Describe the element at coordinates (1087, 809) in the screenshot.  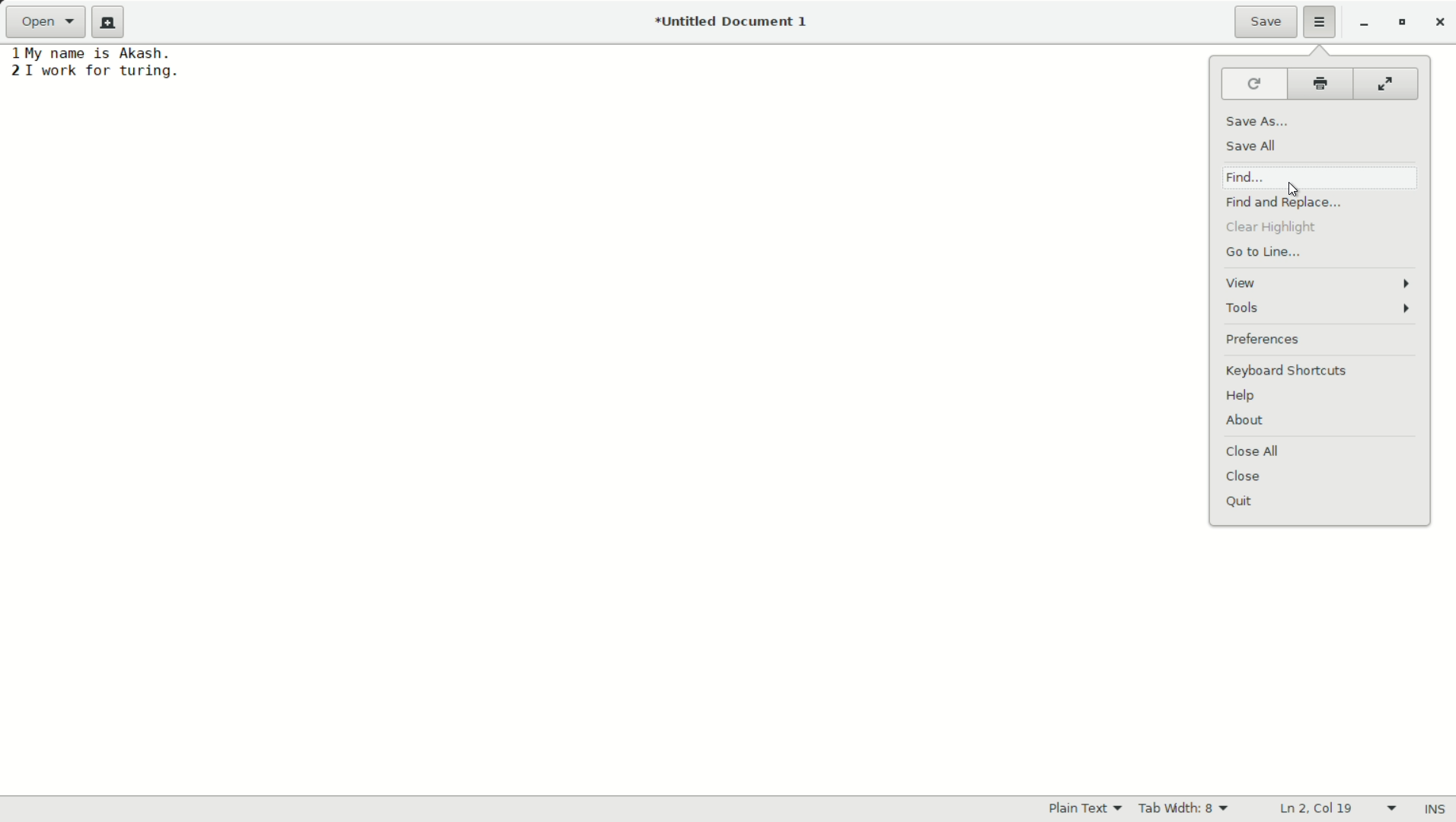
I see `plain text` at that location.